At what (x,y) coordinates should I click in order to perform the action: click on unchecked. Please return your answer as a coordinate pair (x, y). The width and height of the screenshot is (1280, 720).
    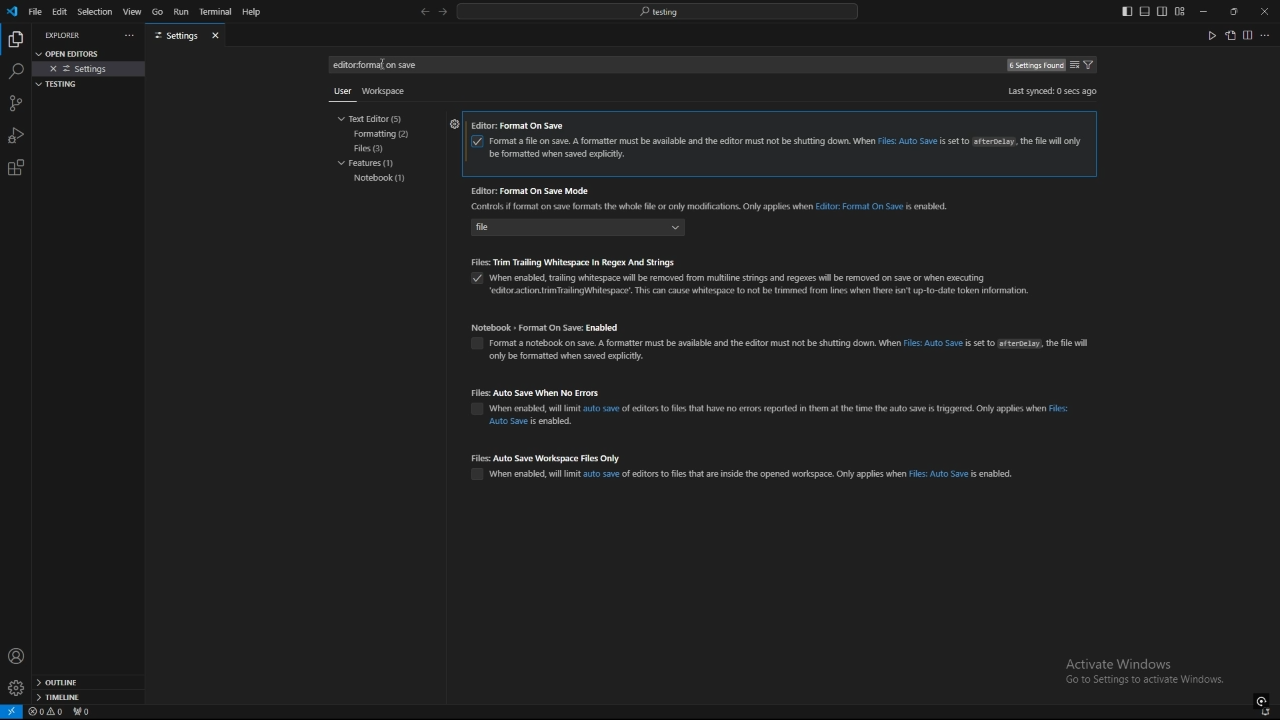
    Looking at the image, I should click on (477, 473).